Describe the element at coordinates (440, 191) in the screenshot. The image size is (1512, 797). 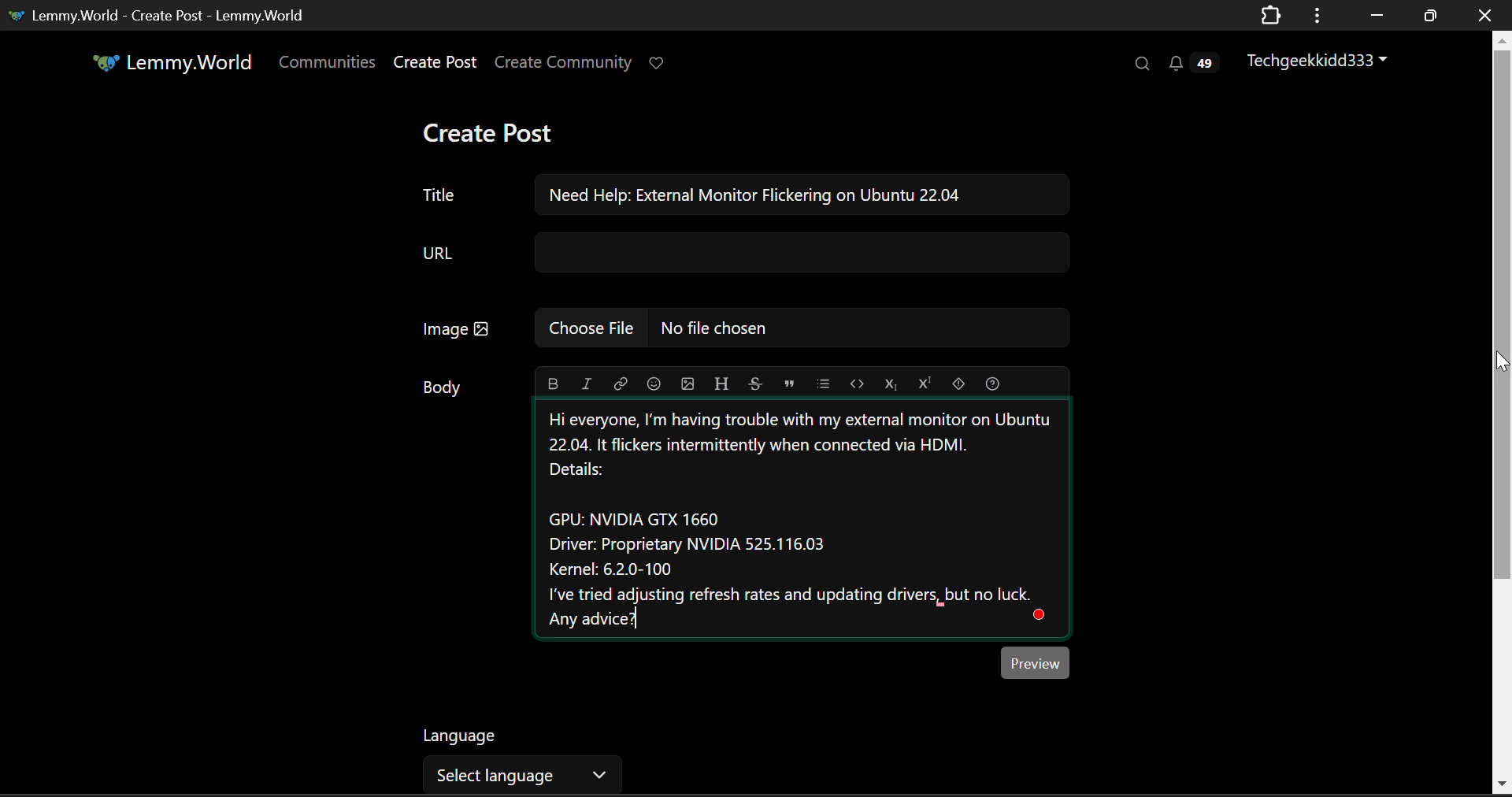
I see `Post Title Textbox Field` at that location.